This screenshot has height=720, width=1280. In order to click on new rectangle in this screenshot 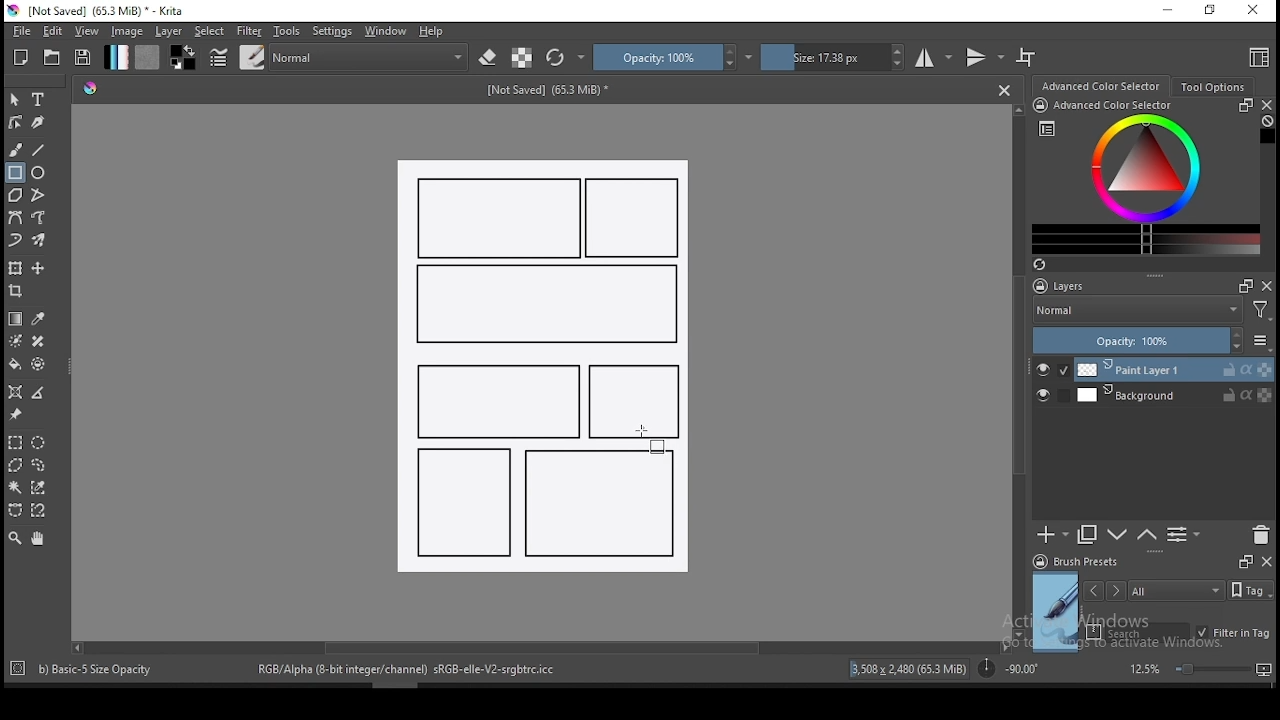, I will do `click(603, 504)`.